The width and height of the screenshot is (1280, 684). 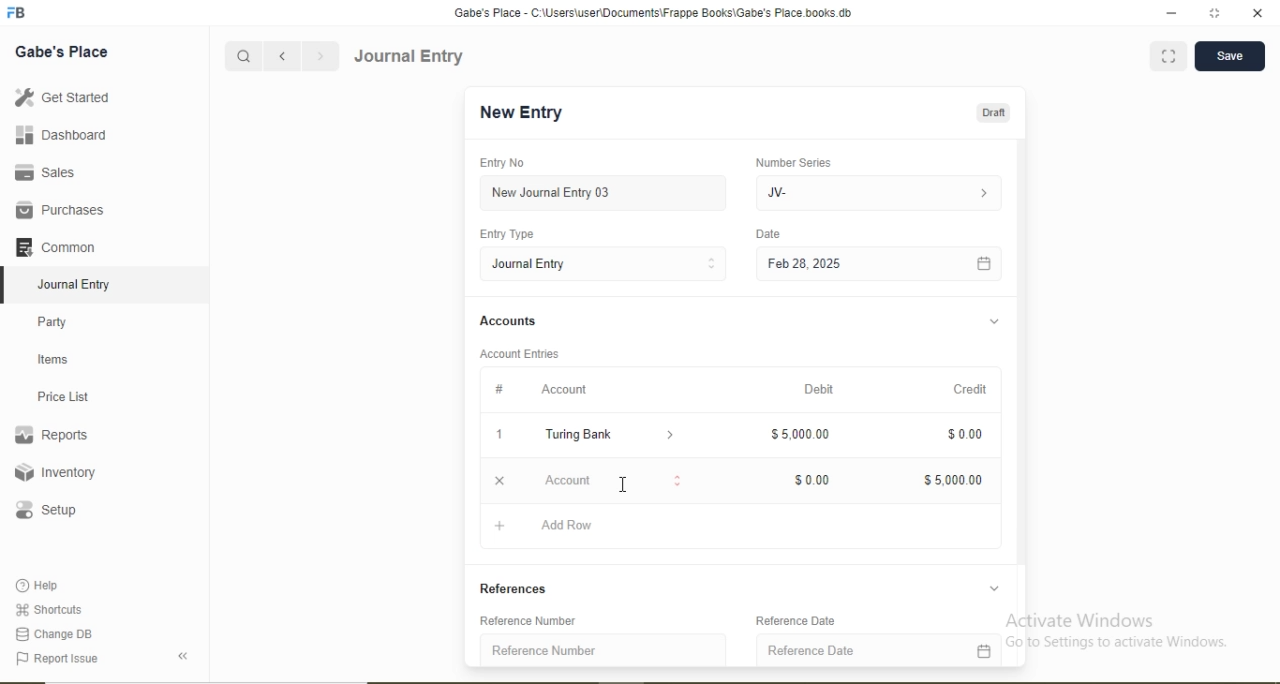 I want to click on Calendar, so click(x=984, y=265).